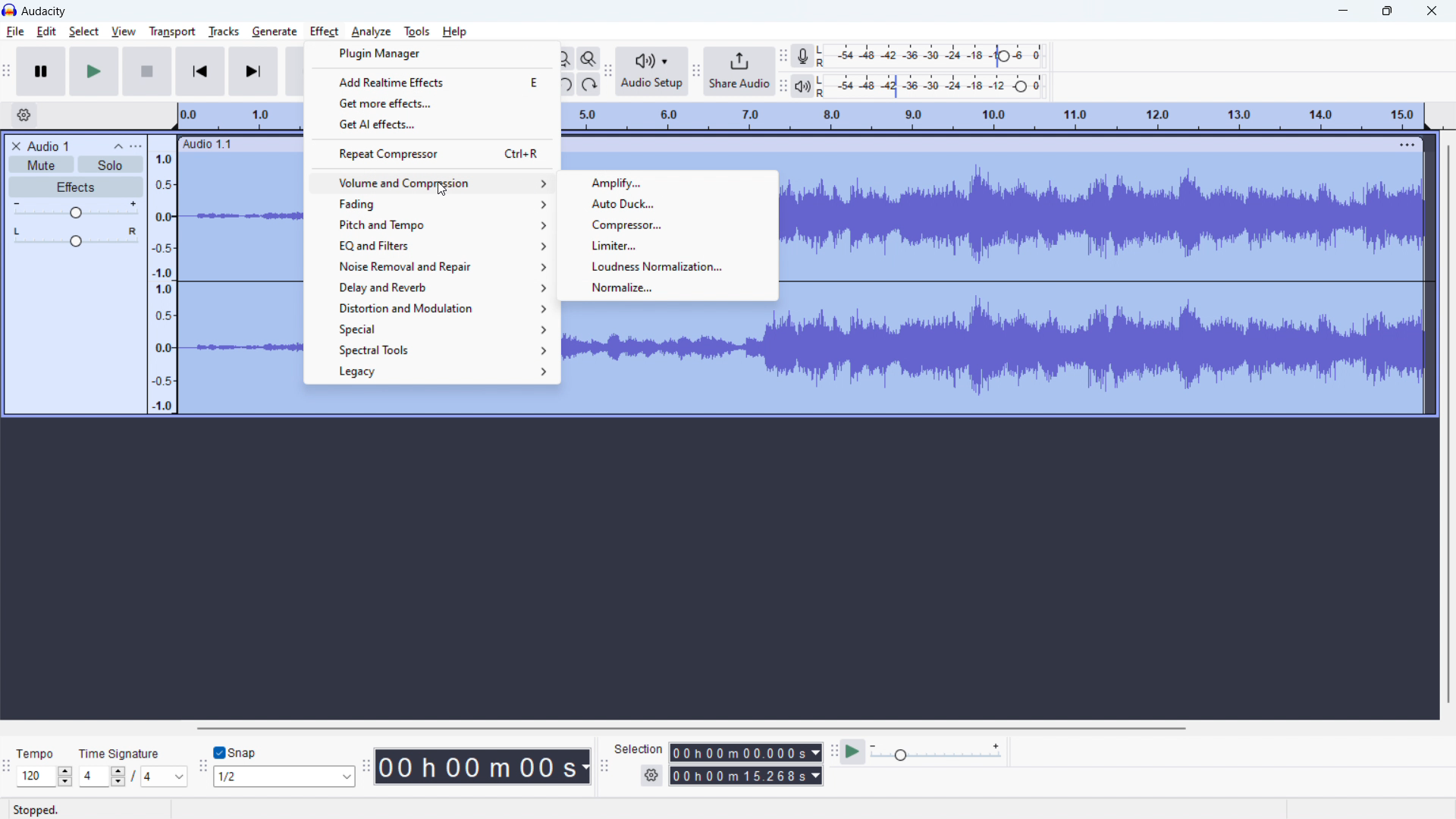  I want to click on snapping toolbar, so click(203, 766).